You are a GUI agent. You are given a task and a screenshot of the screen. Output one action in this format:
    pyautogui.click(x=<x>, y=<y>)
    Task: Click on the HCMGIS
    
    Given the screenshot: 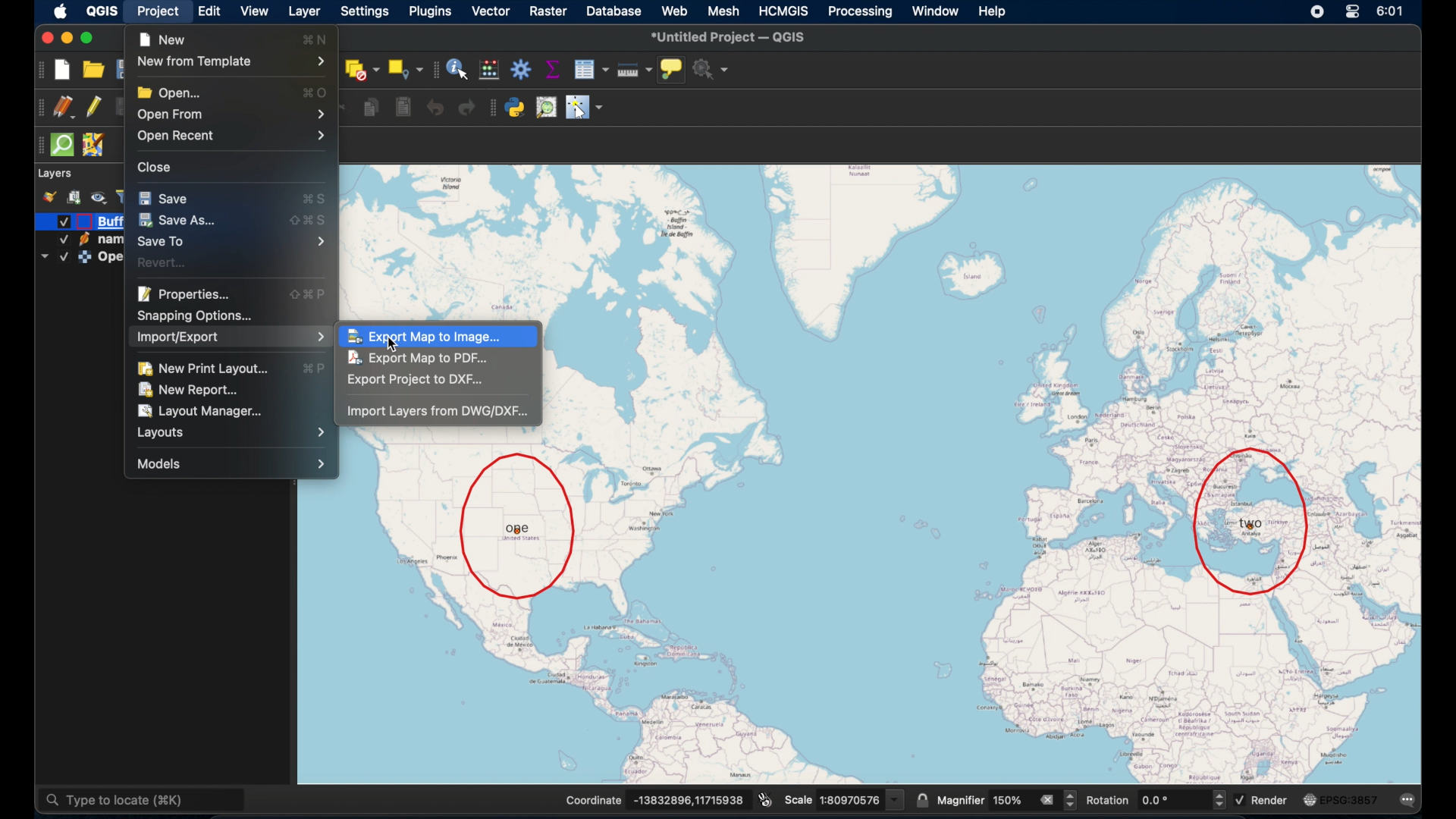 What is the action you would take?
    pyautogui.click(x=786, y=11)
    